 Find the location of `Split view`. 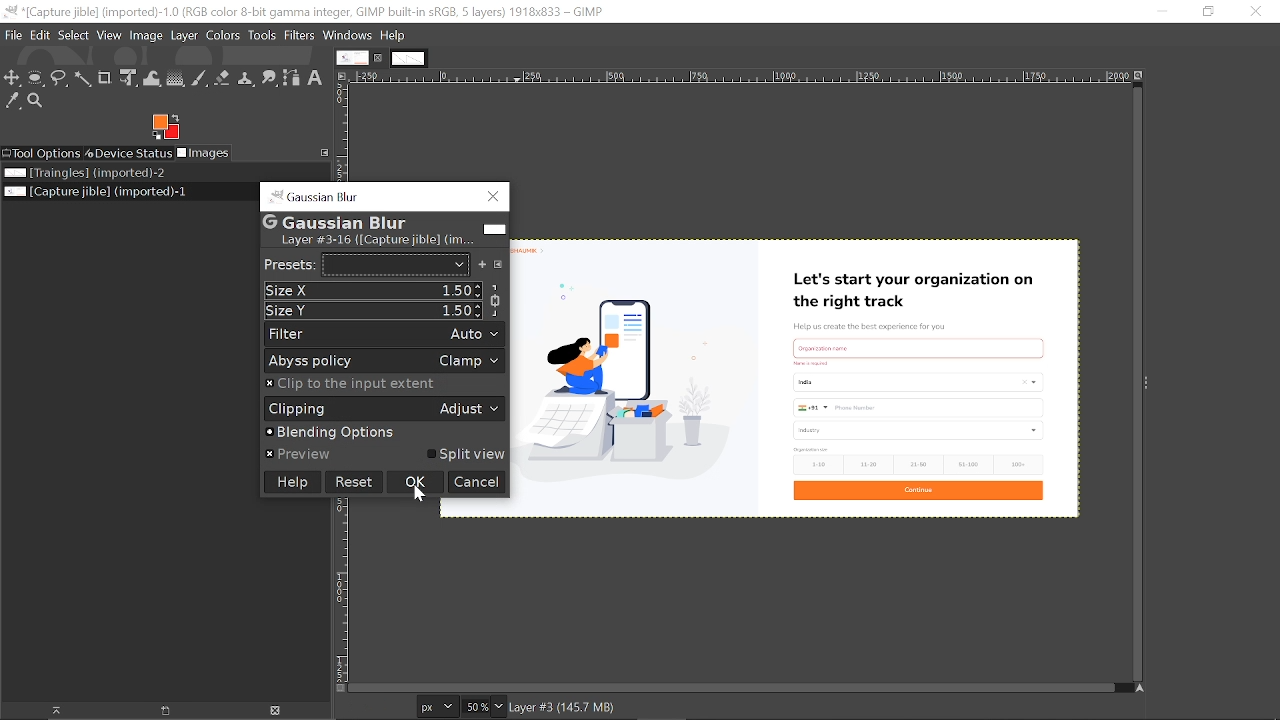

Split view is located at coordinates (466, 455).